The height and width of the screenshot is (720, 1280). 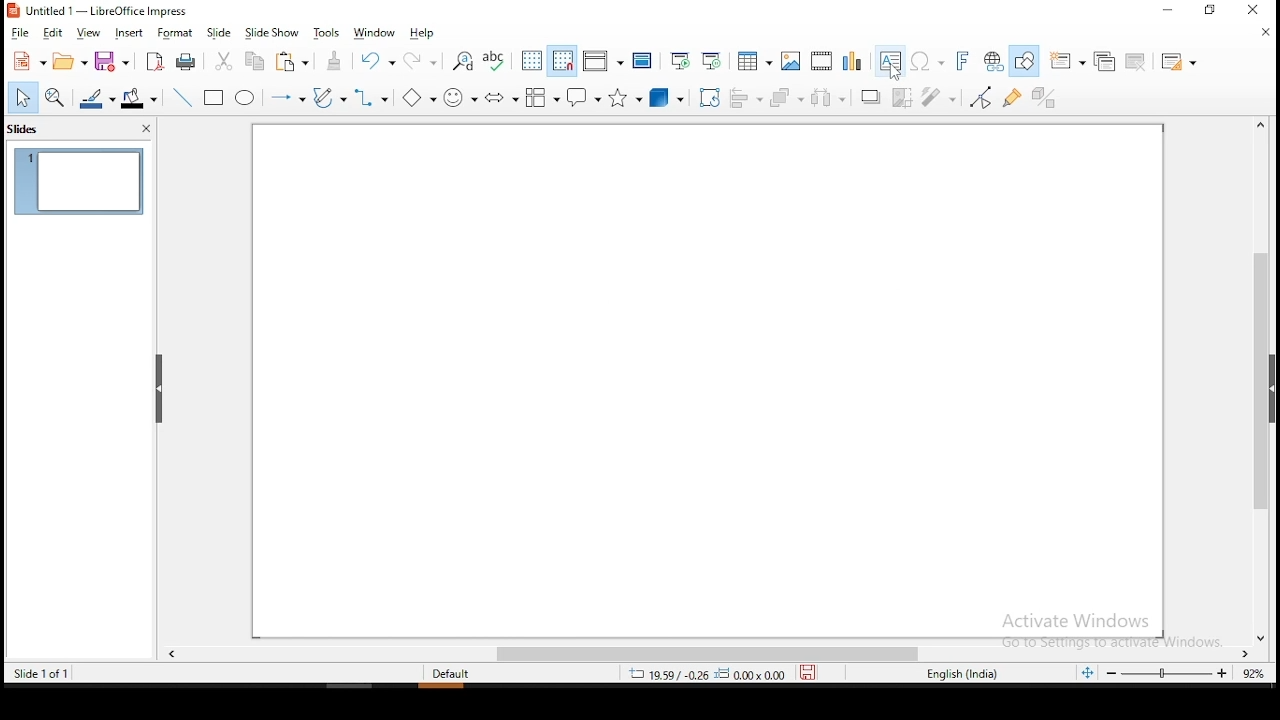 What do you see at coordinates (23, 99) in the screenshot?
I see `select tool` at bounding box center [23, 99].